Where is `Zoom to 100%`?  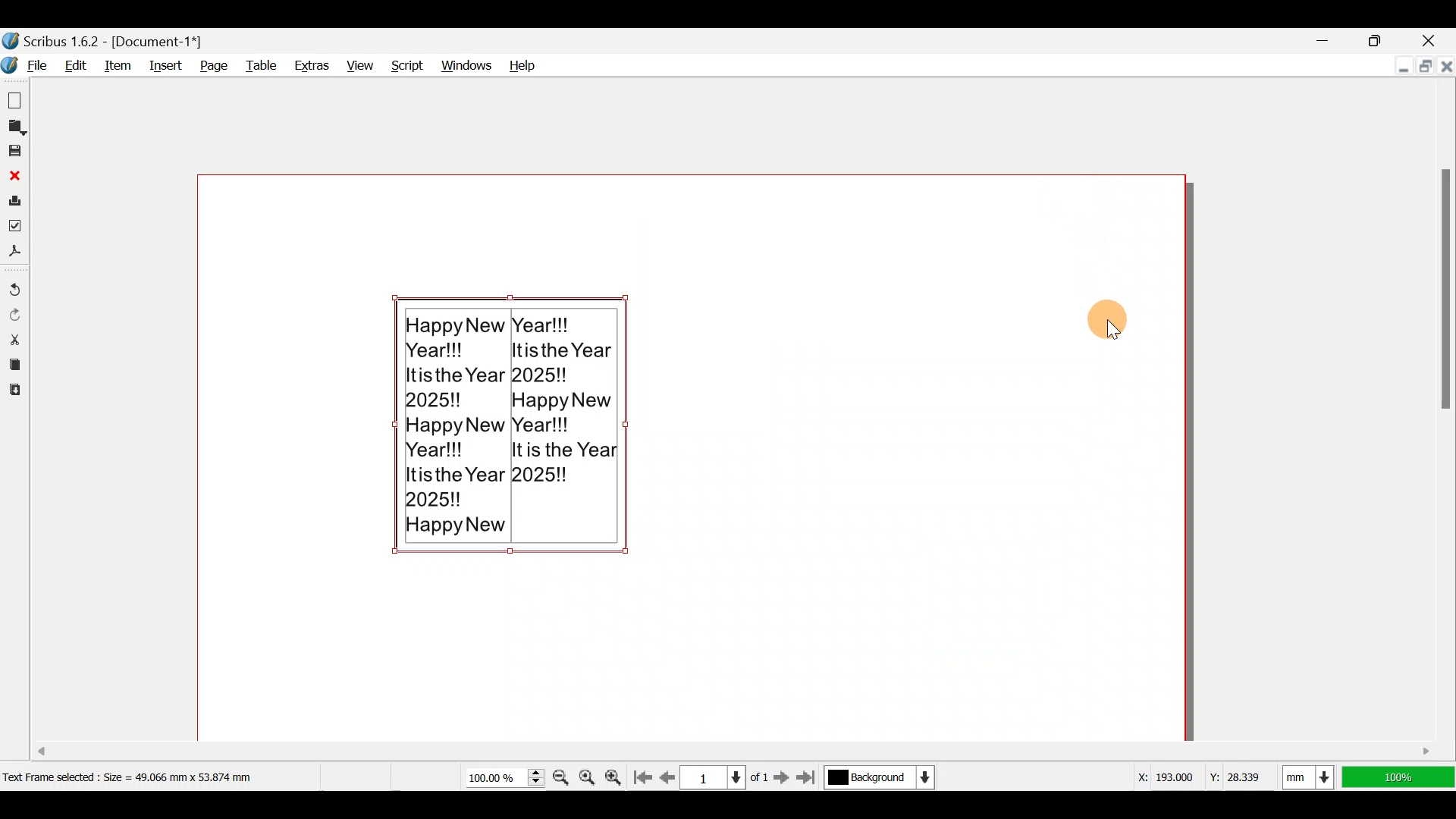 Zoom to 100% is located at coordinates (586, 773).